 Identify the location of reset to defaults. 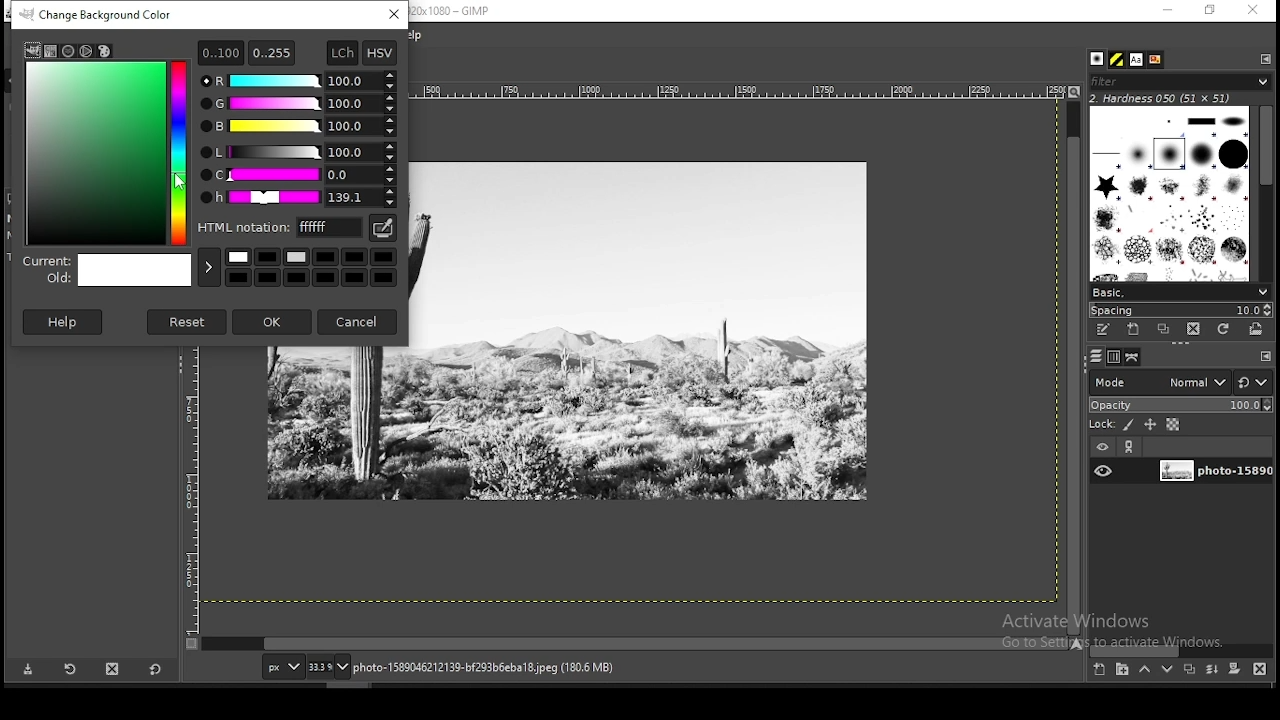
(154, 669).